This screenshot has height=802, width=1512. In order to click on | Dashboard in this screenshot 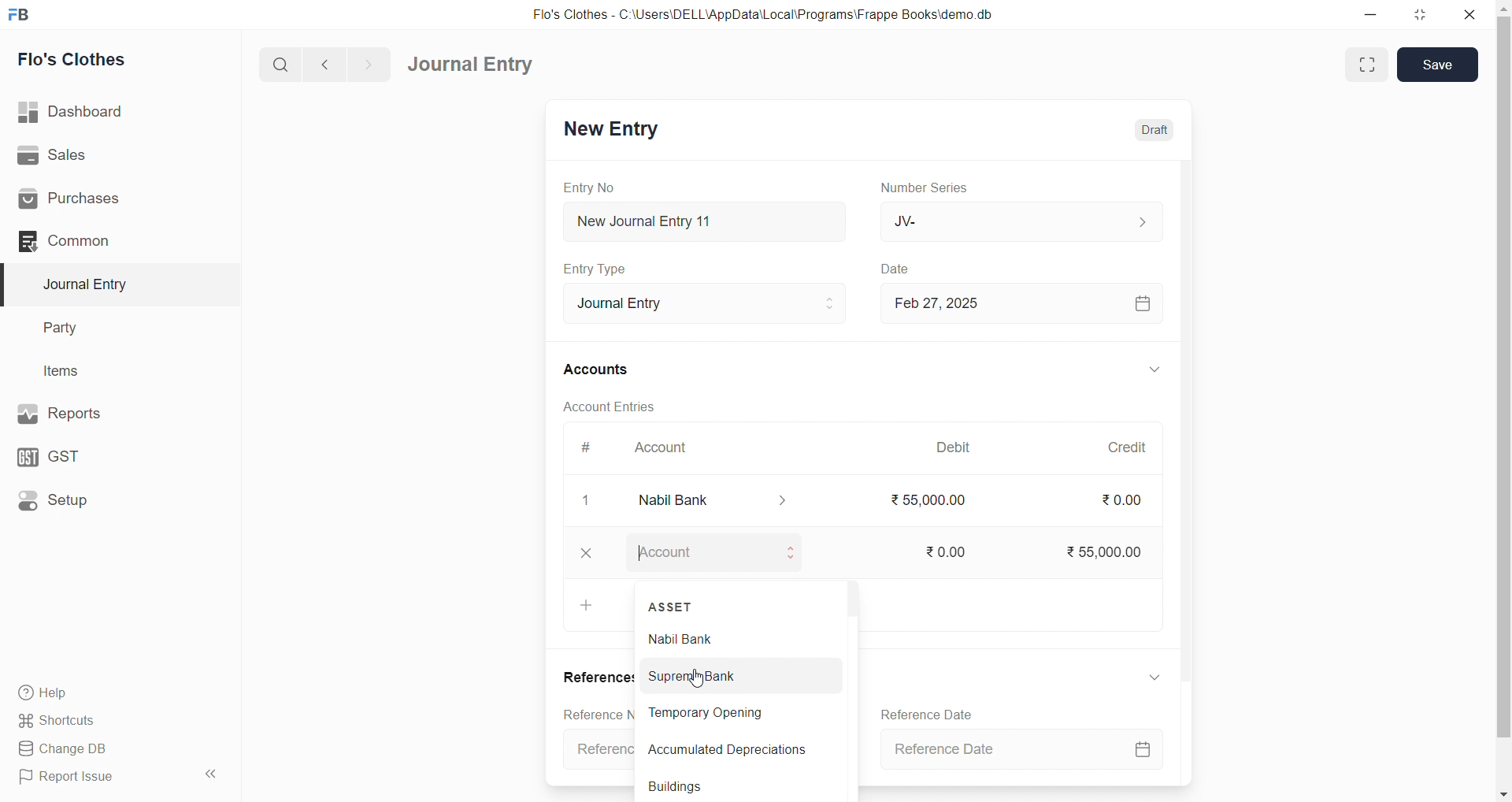, I will do `click(86, 113)`.